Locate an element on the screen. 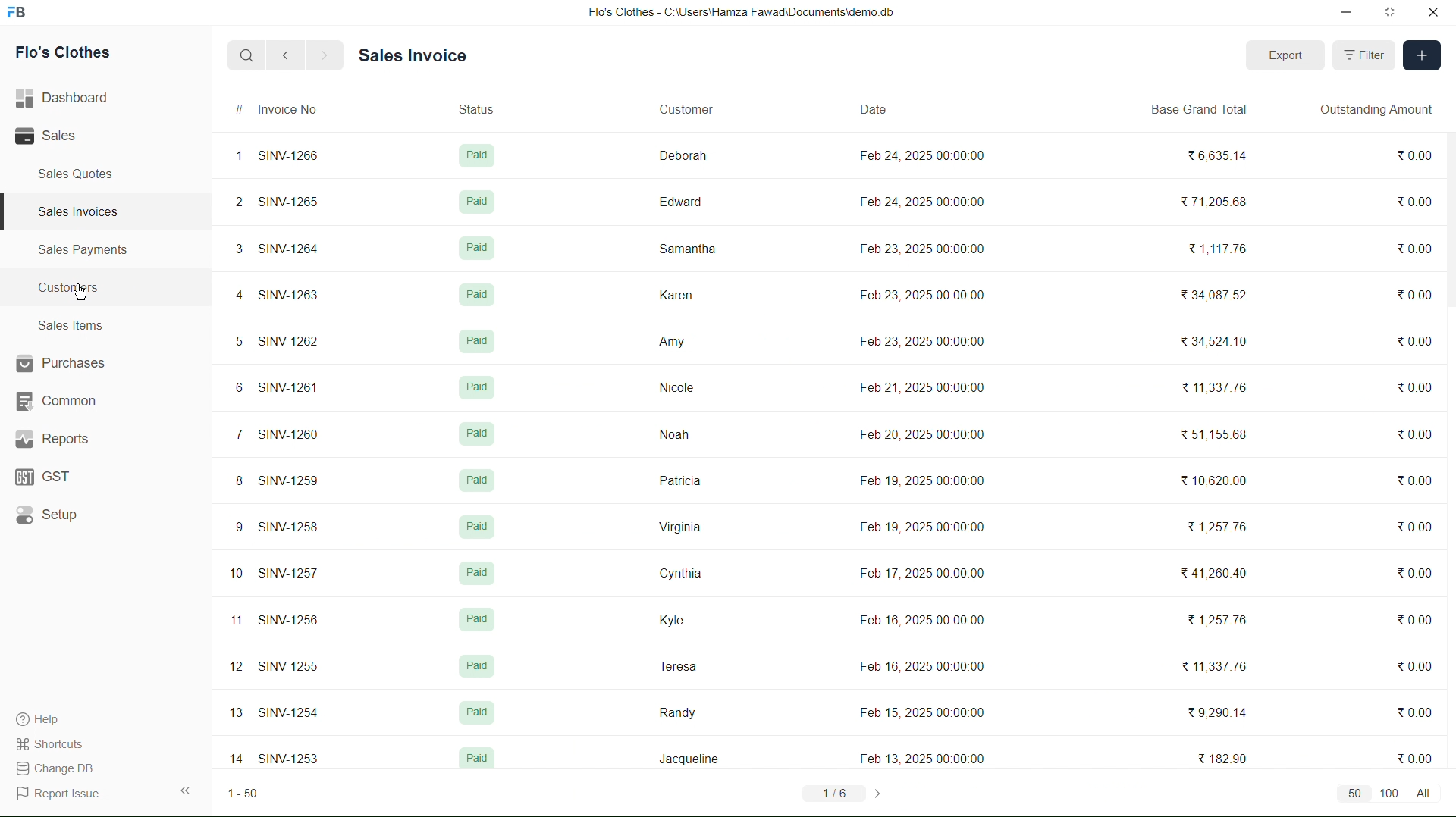 This screenshot has height=817, width=1456. 7 is located at coordinates (232, 432).